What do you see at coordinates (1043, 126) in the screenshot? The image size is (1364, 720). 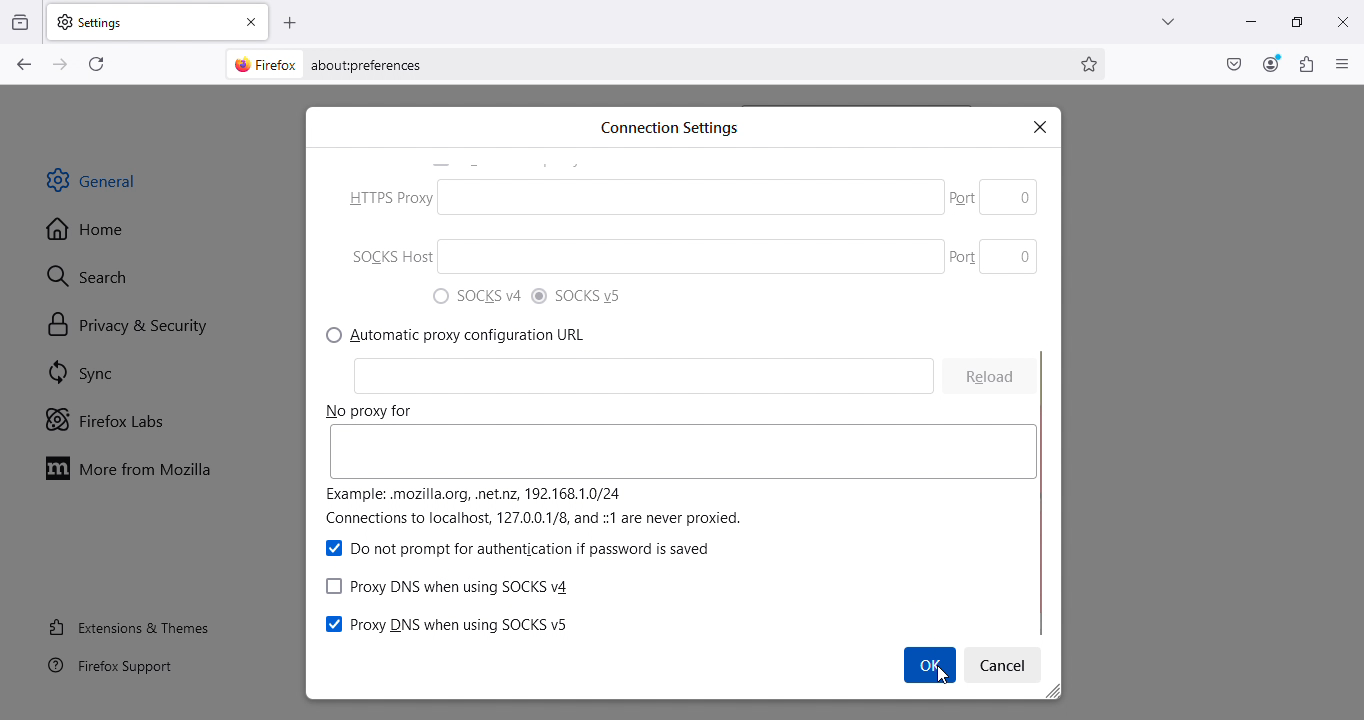 I see `x |close` at bounding box center [1043, 126].